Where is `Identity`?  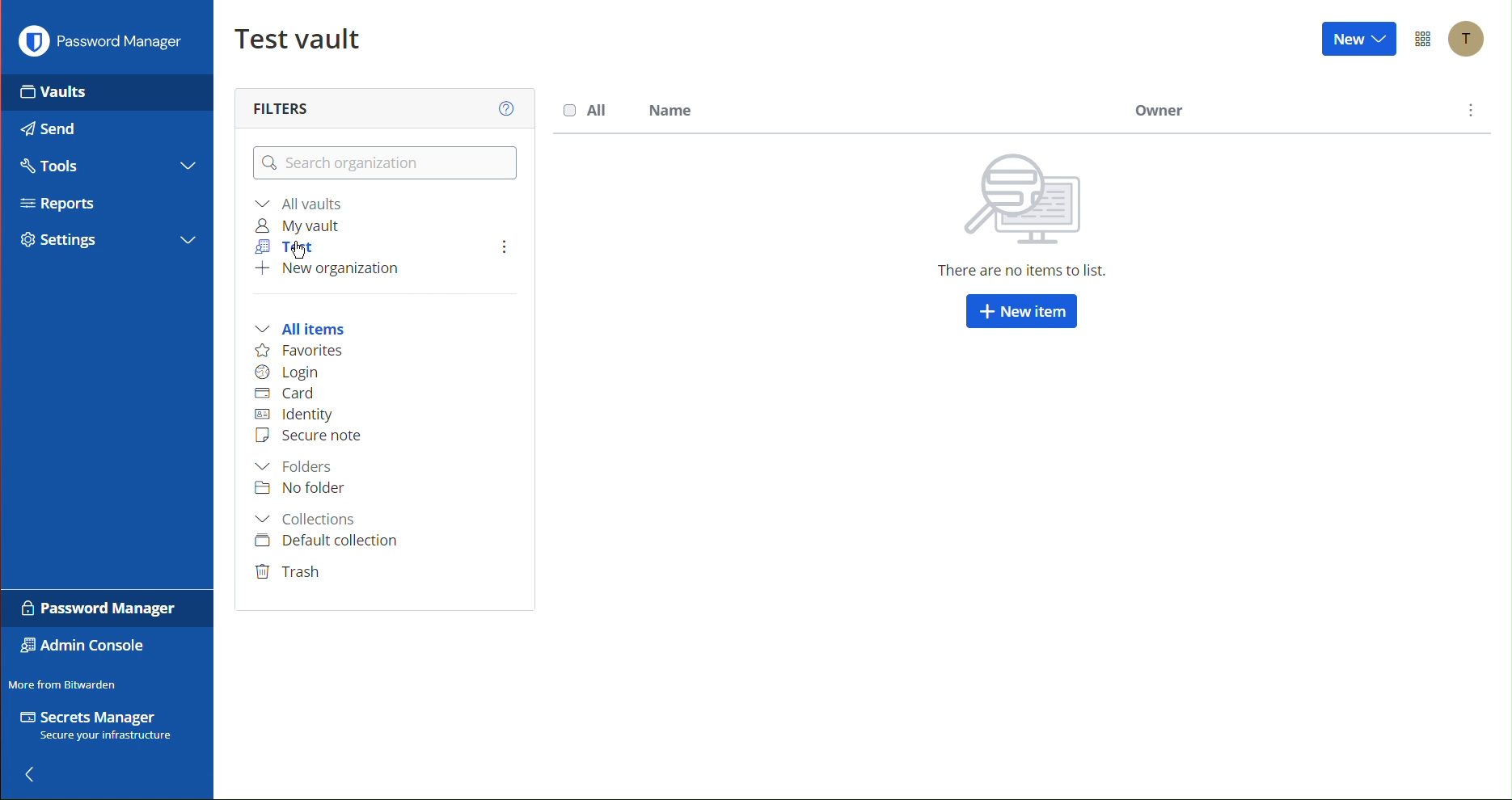
Identity is located at coordinates (302, 415).